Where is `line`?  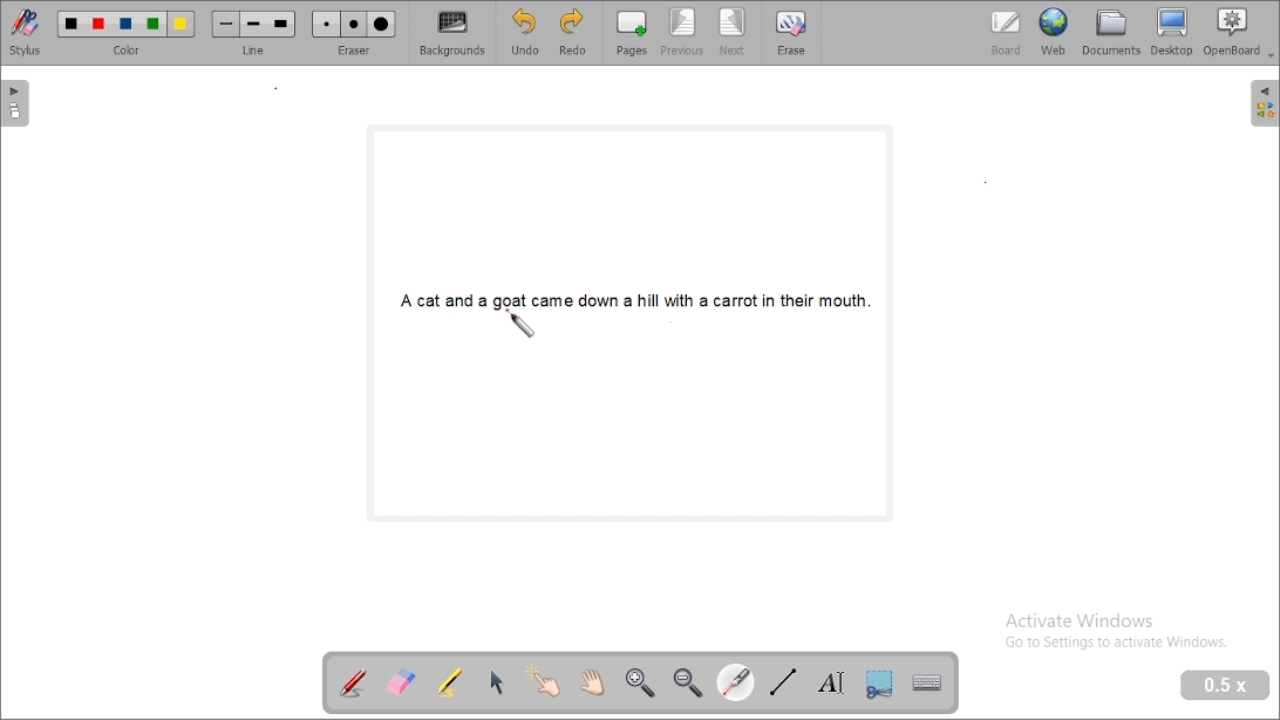 line is located at coordinates (253, 34).